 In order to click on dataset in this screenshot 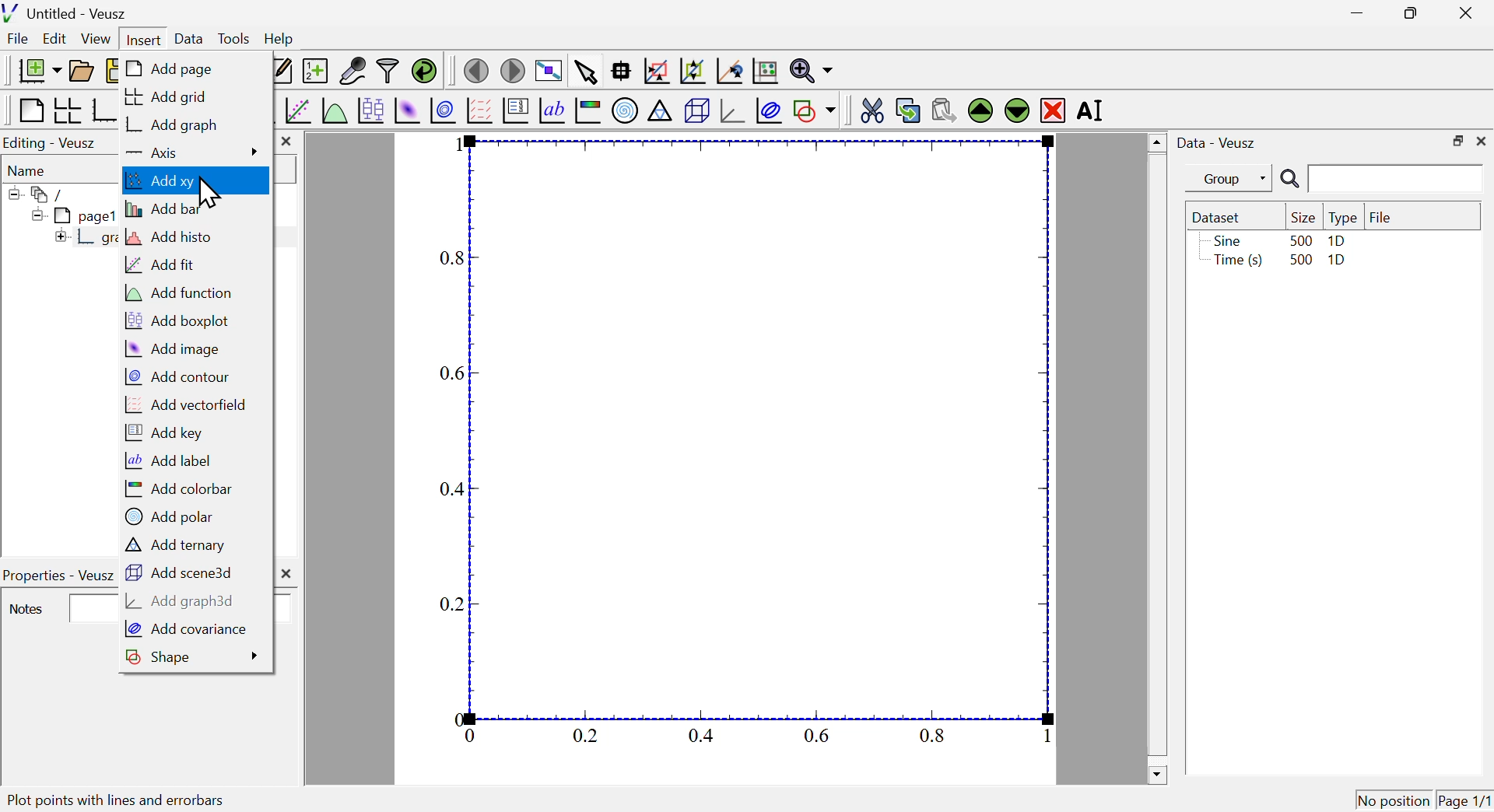, I will do `click(1220, 217)`.